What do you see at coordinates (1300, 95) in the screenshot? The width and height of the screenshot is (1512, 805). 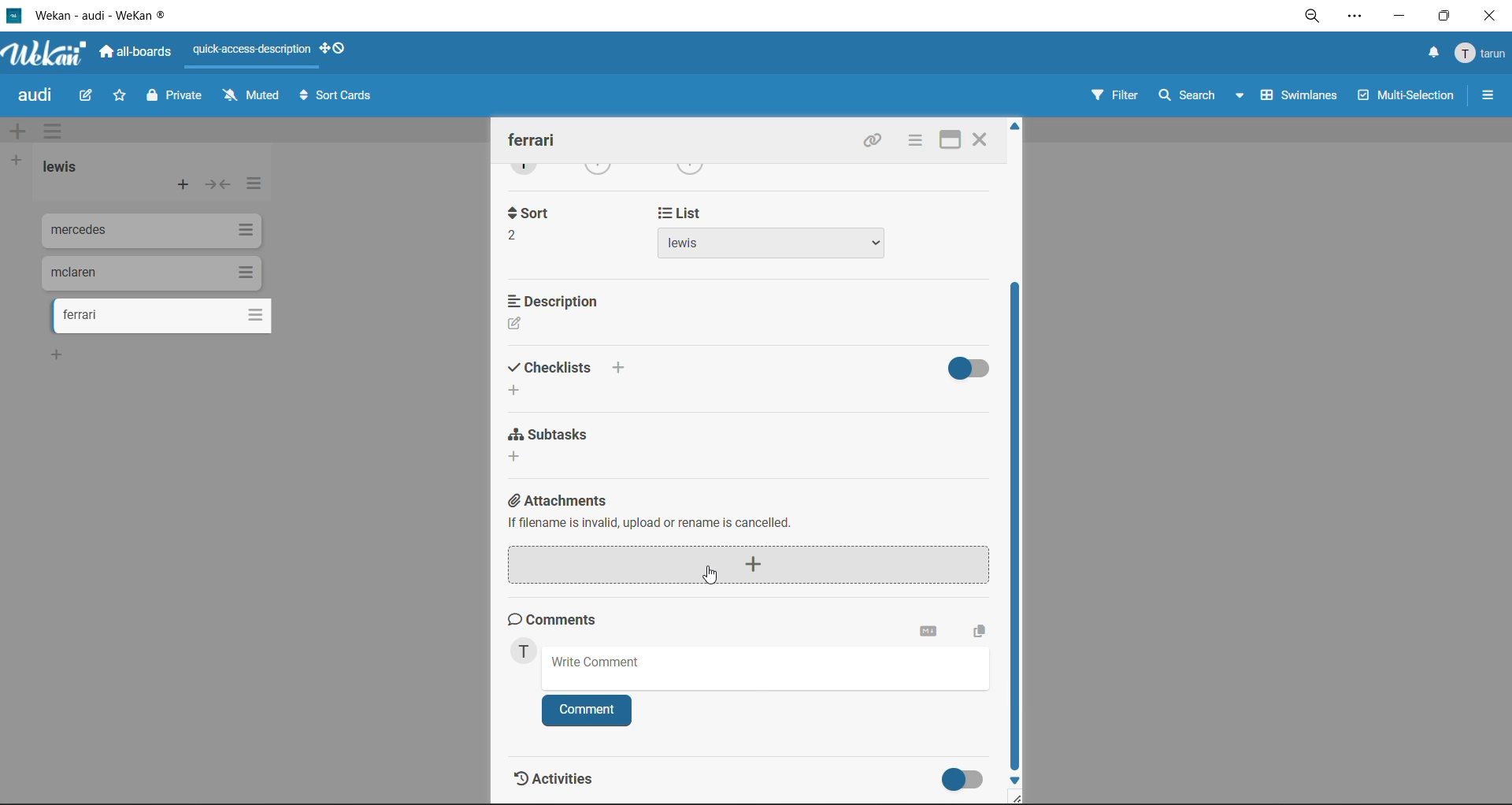 I see `swimlanes` at bounding box center [1300, 95].